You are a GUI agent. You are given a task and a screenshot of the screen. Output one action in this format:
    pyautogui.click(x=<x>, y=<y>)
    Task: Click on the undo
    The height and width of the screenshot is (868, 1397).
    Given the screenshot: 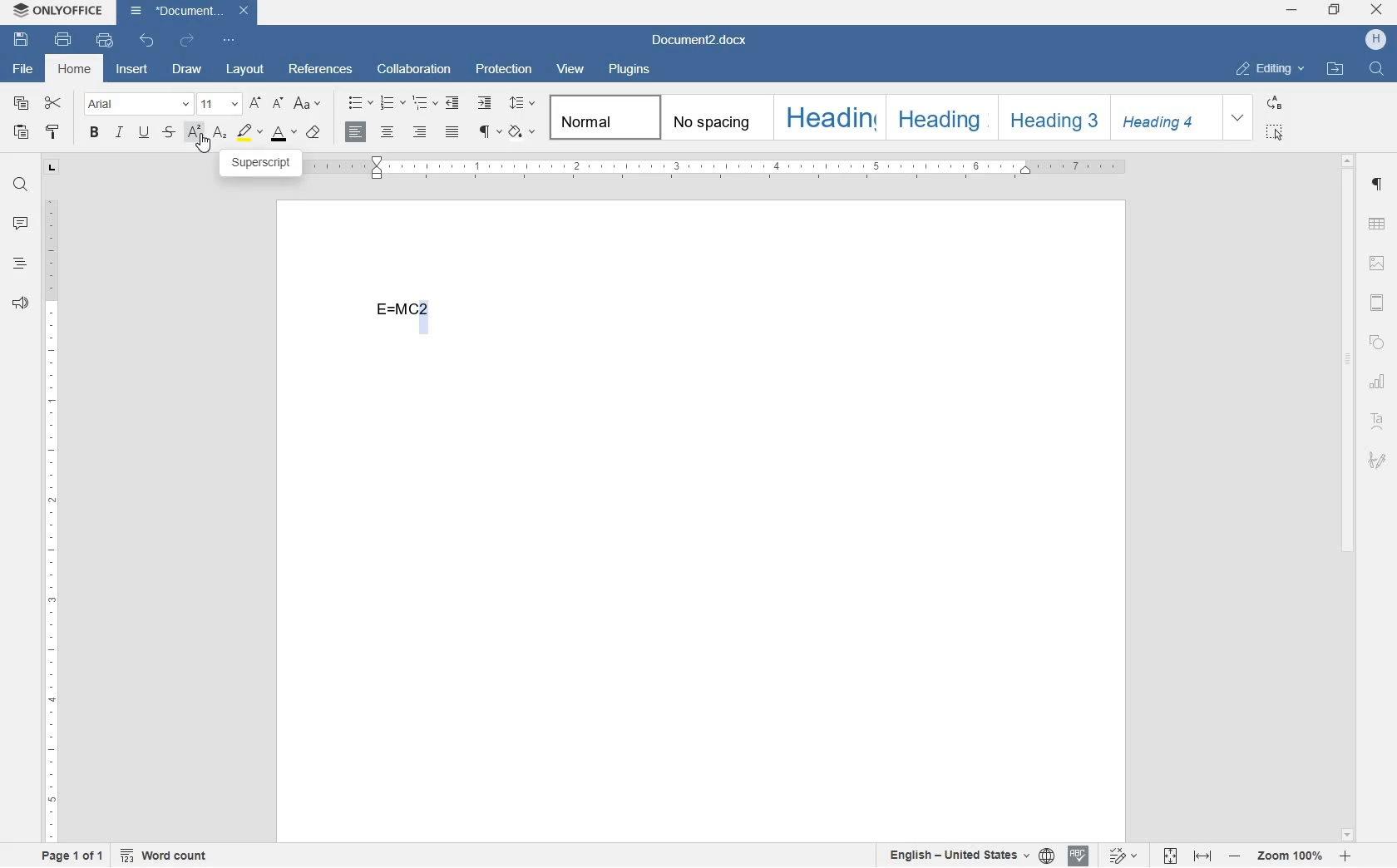 What is the action you would take?
    pyautogui.click(x=148, y=45)
    